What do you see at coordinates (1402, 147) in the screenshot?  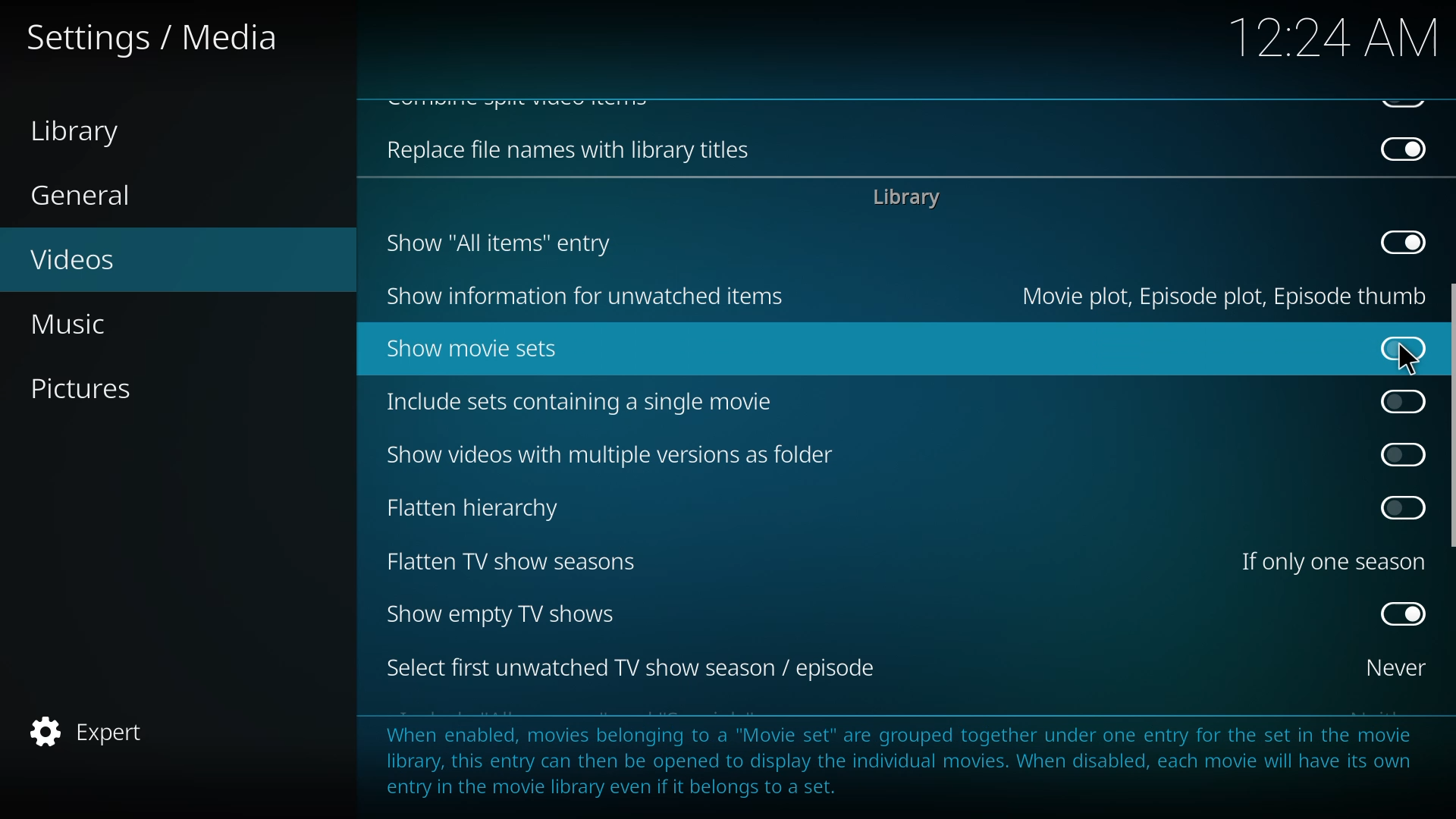 I see `disabled` at bounding box center [1402, 147].